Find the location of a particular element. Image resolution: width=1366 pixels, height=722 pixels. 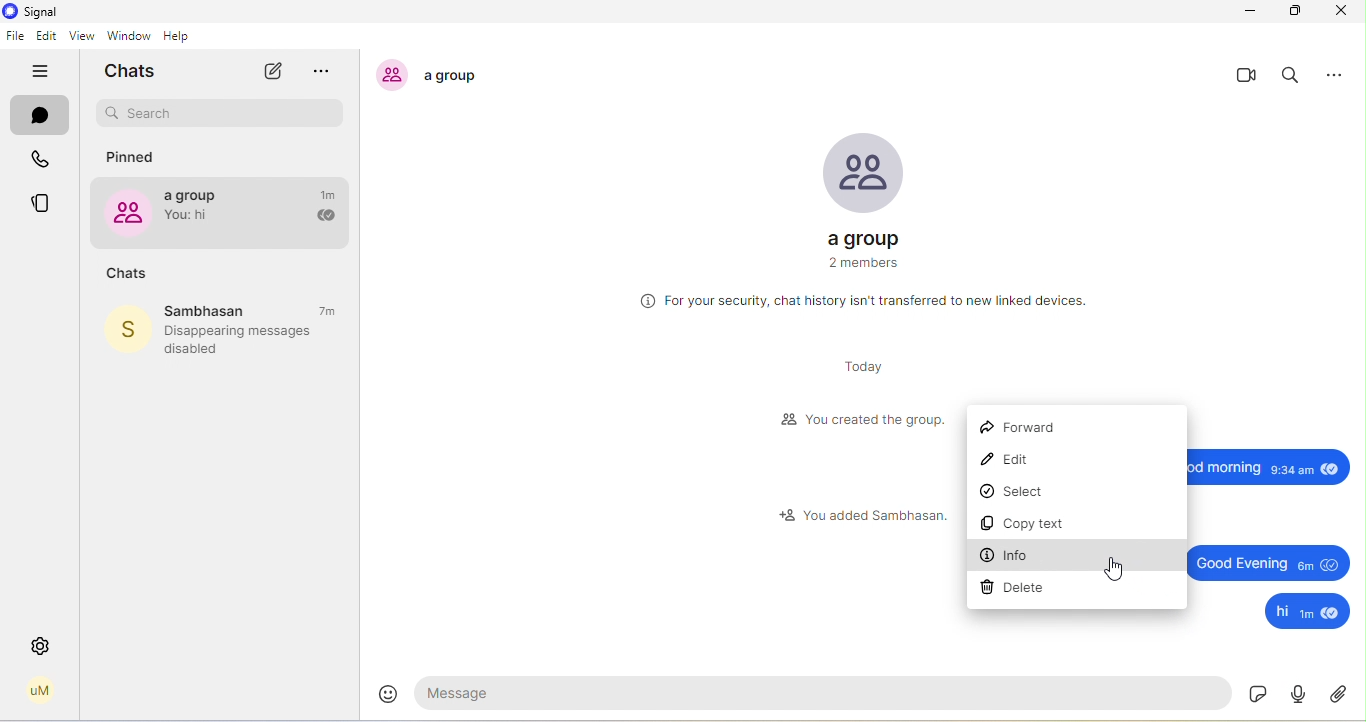

options is located at coordinates (1340, 73).